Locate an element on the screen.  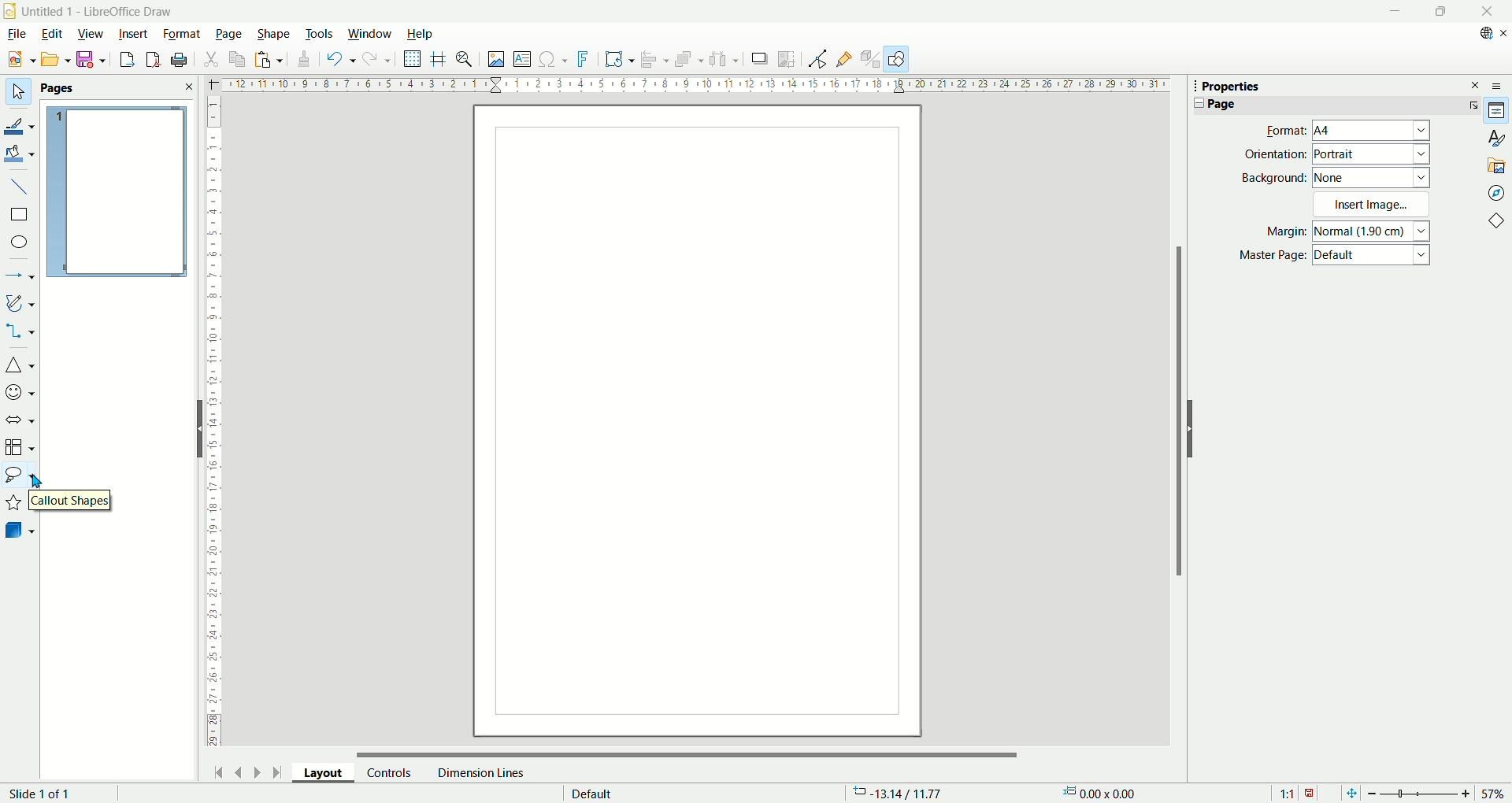
Untitled 1 - LiberOffice Draw is located at coordinates (98, 9).